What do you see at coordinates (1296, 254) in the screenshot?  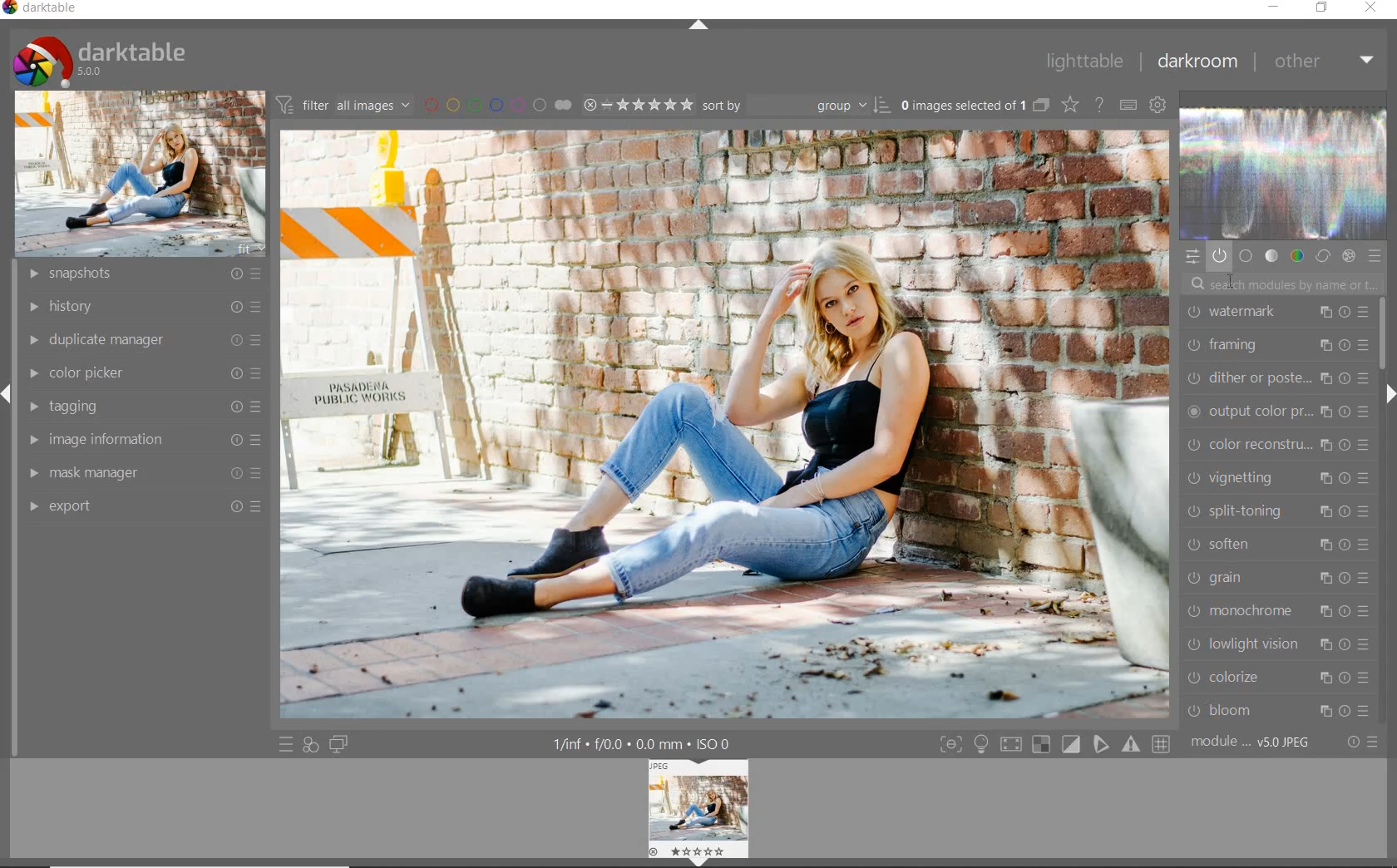 I see `color` at bounding box center [1296, 254].